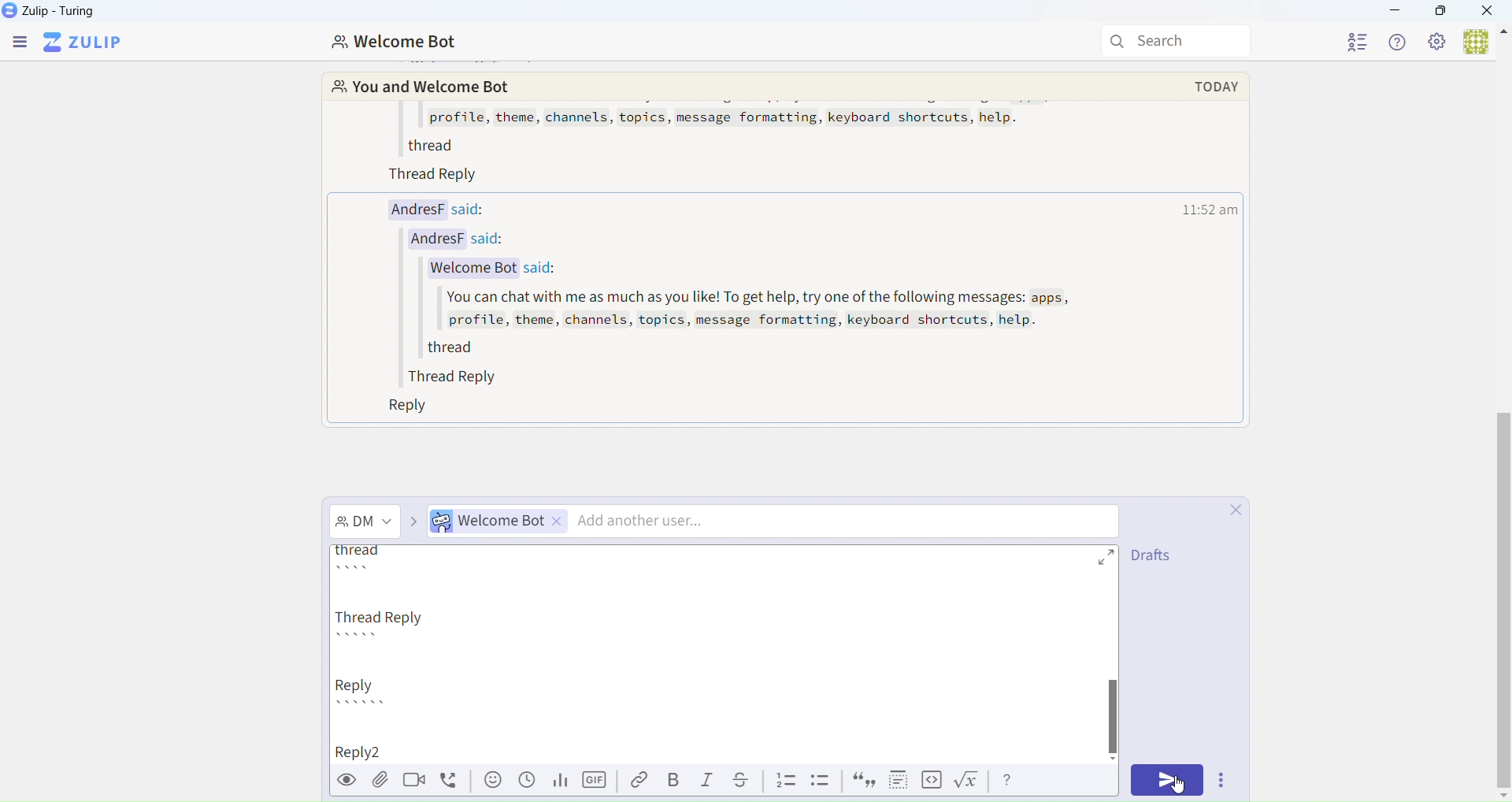 The width and height of the screenshot is (1512, 802). I want to click on help, so click(1010, 781).